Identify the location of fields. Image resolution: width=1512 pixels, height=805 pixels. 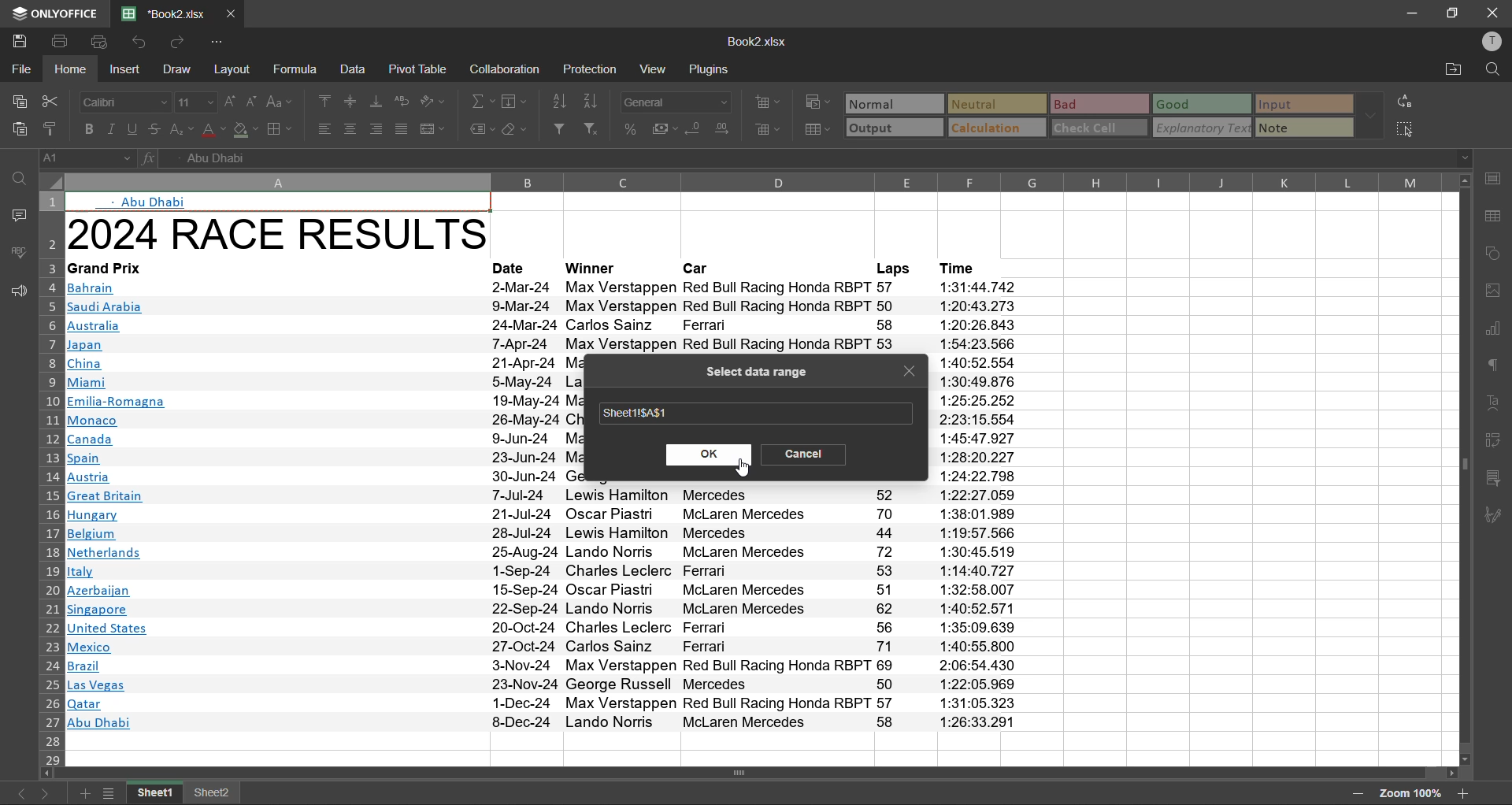
(514, 103).